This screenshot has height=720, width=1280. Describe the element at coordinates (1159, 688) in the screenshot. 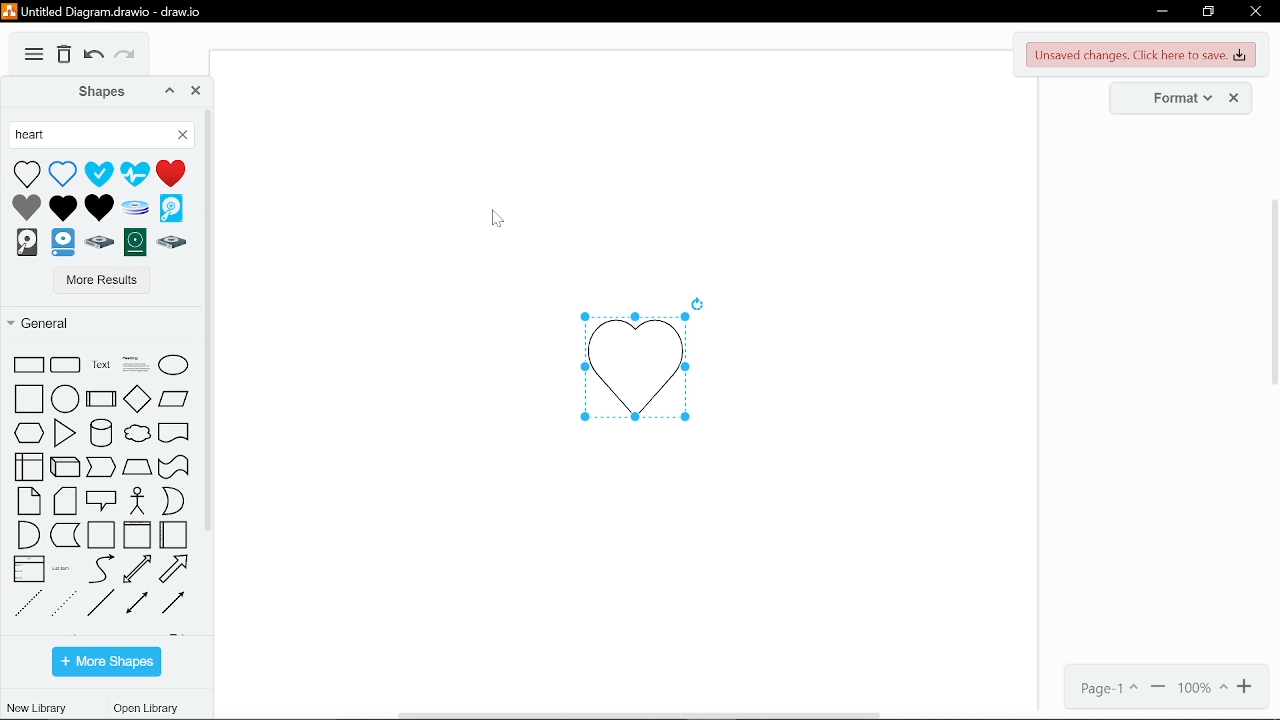

I see `zoom out` at that location.